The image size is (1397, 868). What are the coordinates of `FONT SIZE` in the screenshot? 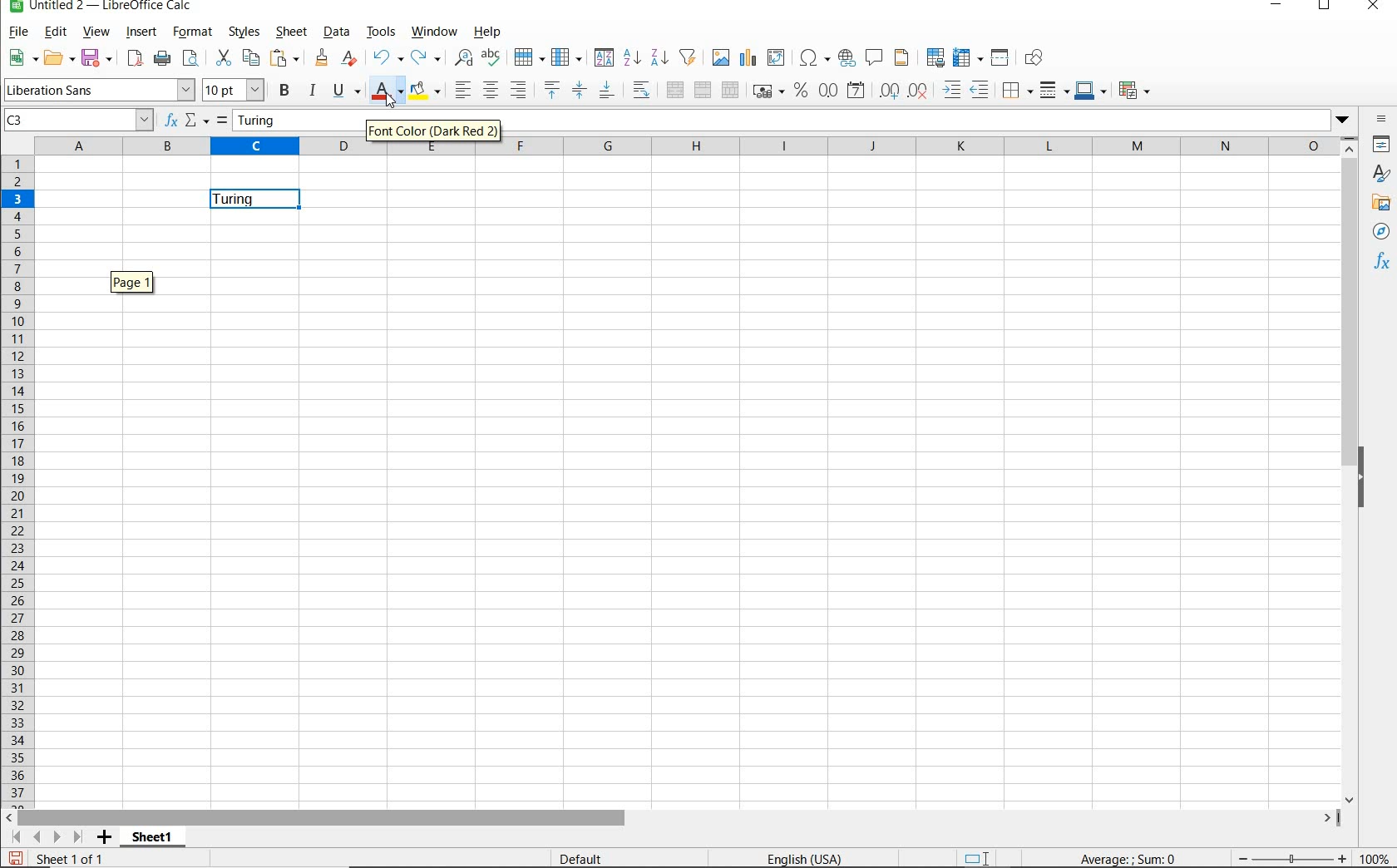 It's located at (234, 91).